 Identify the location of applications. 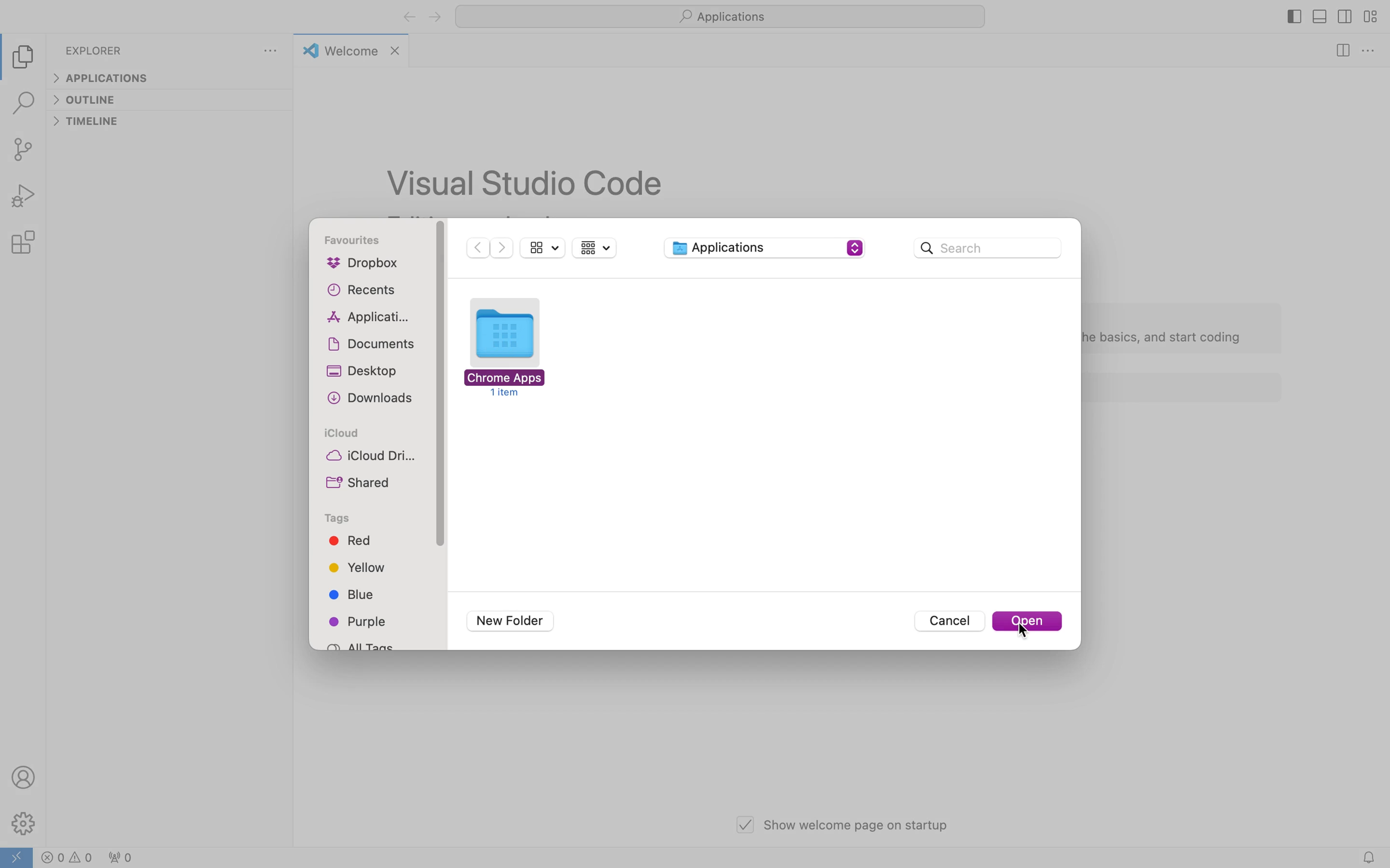
(104, 79).